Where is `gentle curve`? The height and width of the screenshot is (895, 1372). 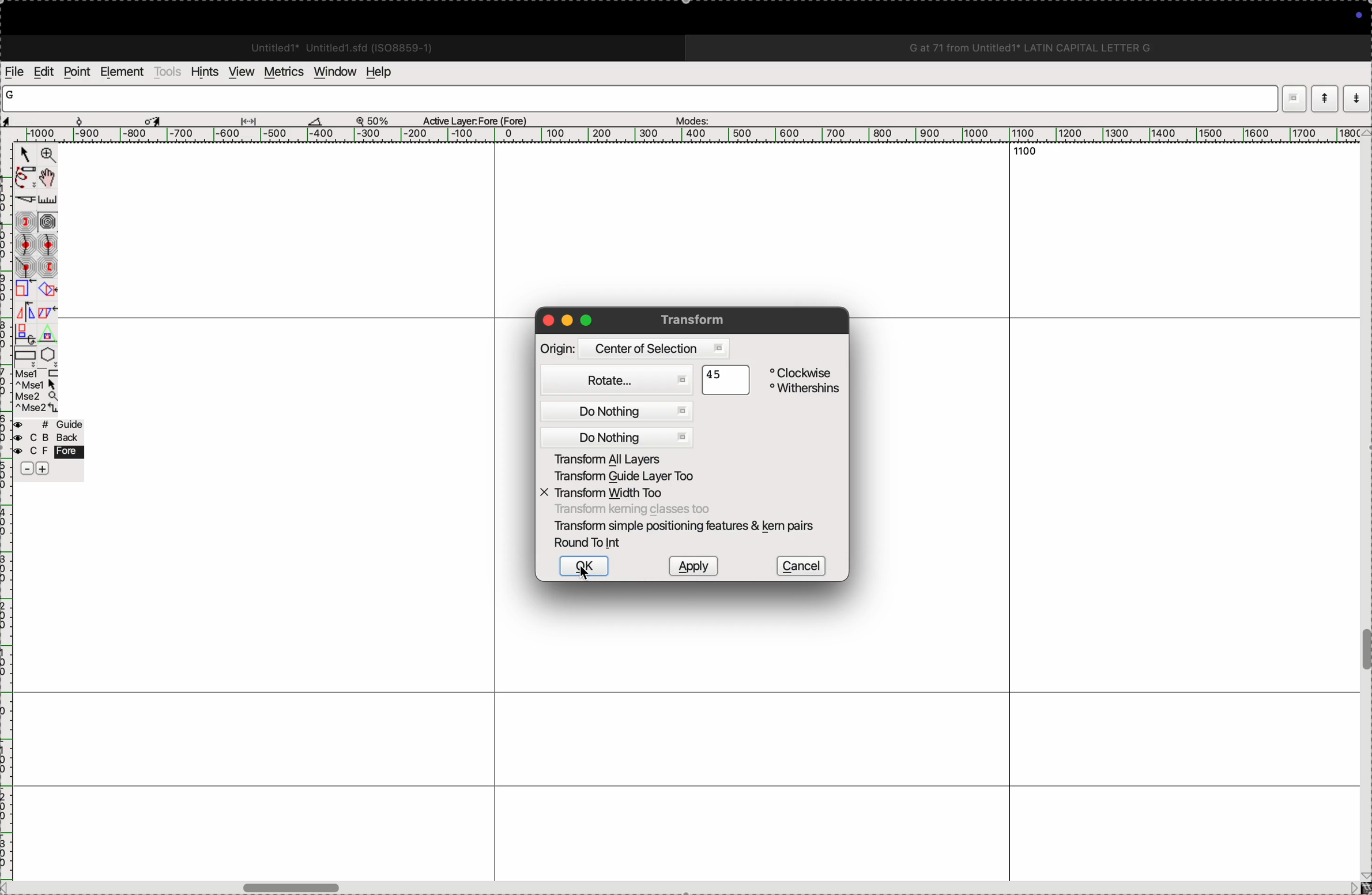 gentle curve is located at coordinates (26, 245).